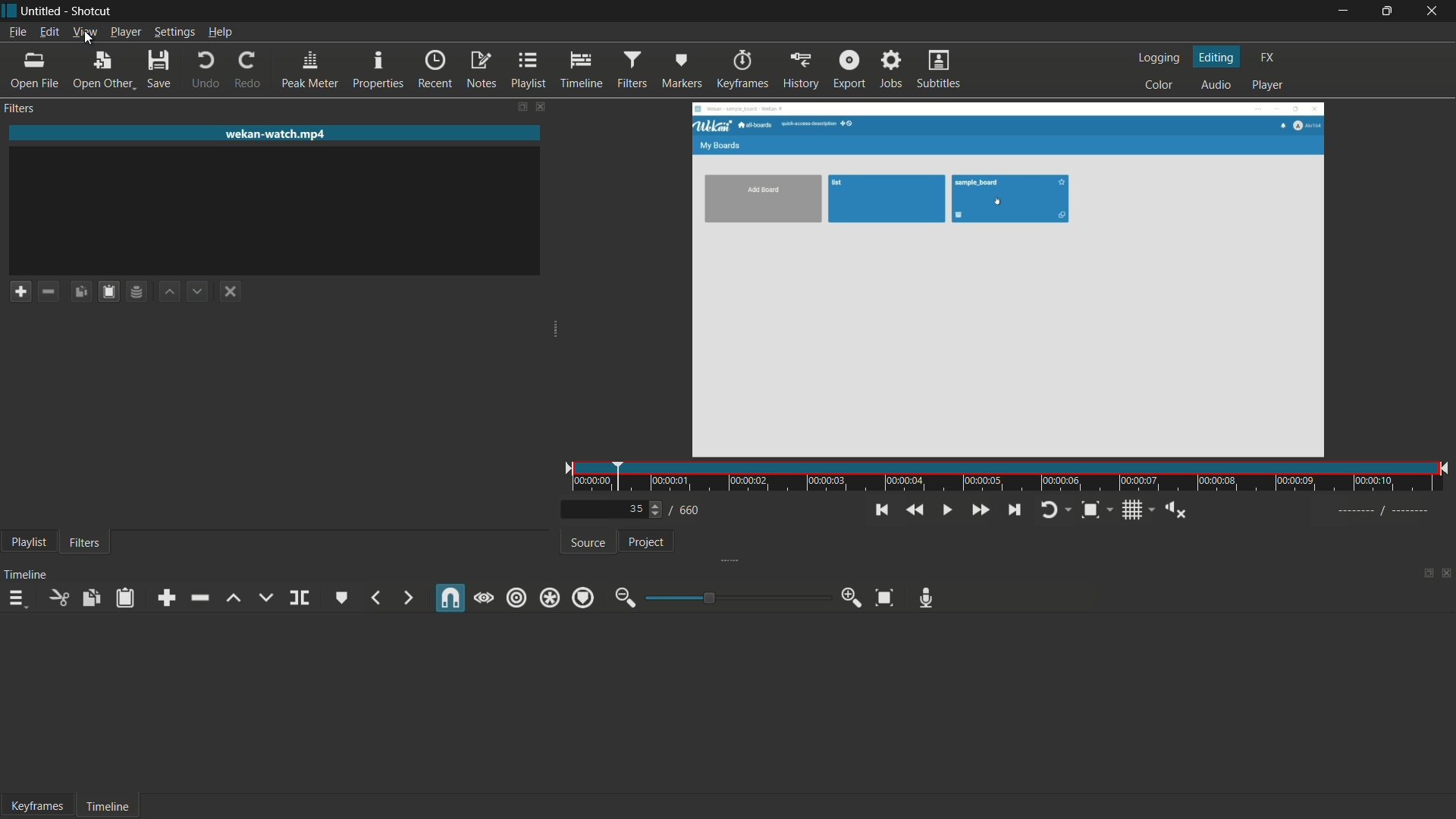 The width and height of the screenshot is (1456, 819). I want to click on save filter set, so click(136, 292).